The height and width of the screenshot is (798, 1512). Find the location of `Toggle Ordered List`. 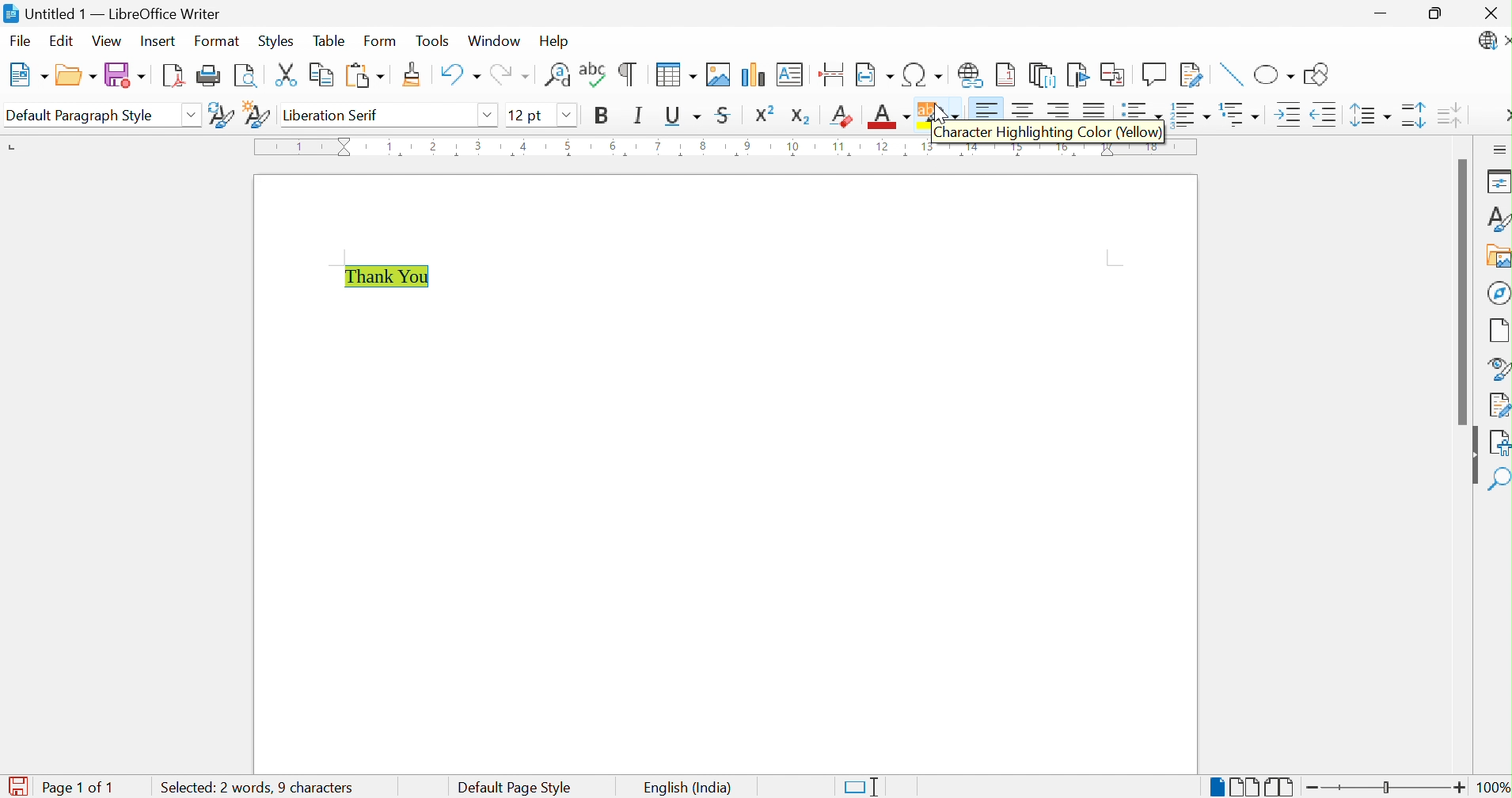

Toggle Ordered List is located at coordinates (1189, 114).